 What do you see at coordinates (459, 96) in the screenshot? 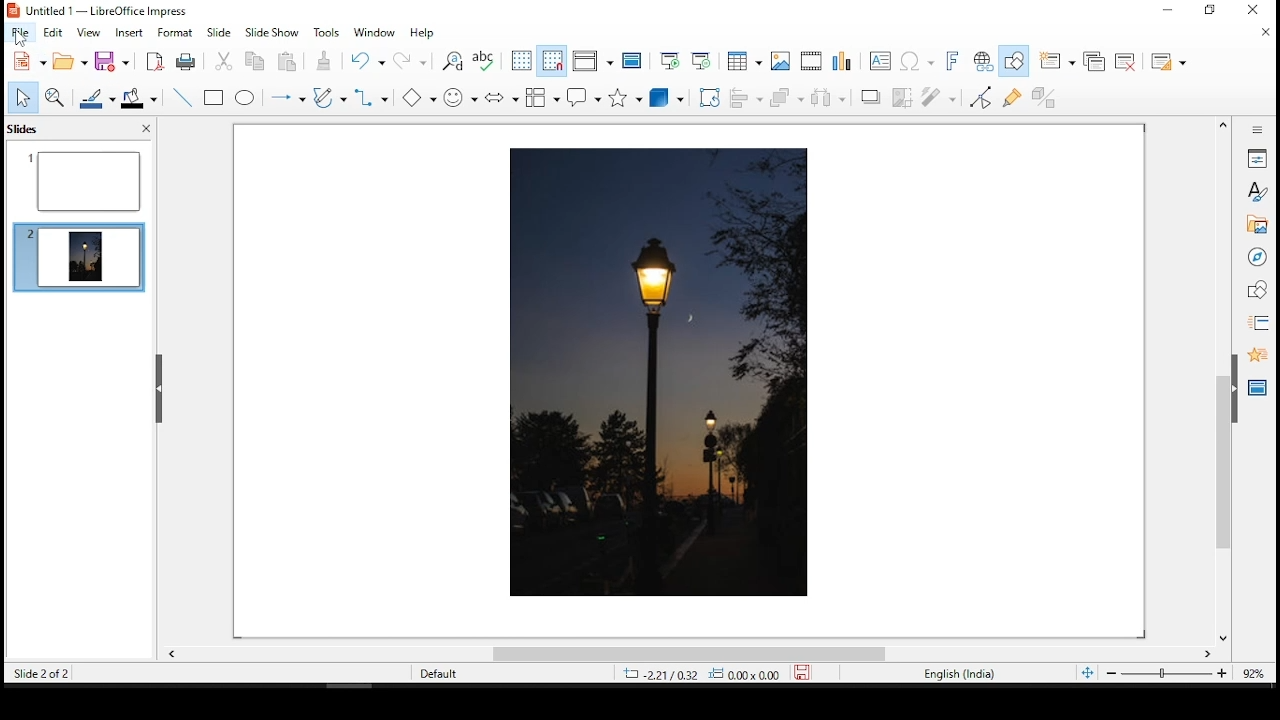
I see `symbol shapes` at bounding box center [459, 96].